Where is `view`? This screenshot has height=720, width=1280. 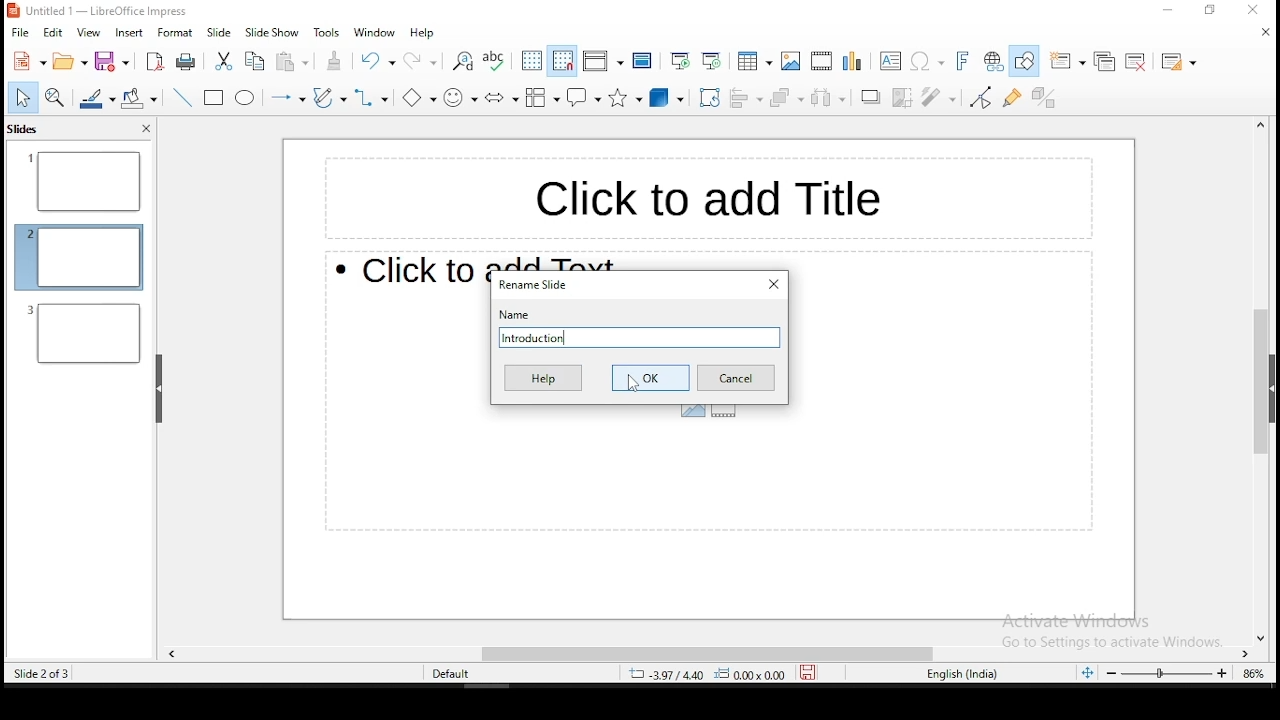
view is located at coordinates (90, 34).